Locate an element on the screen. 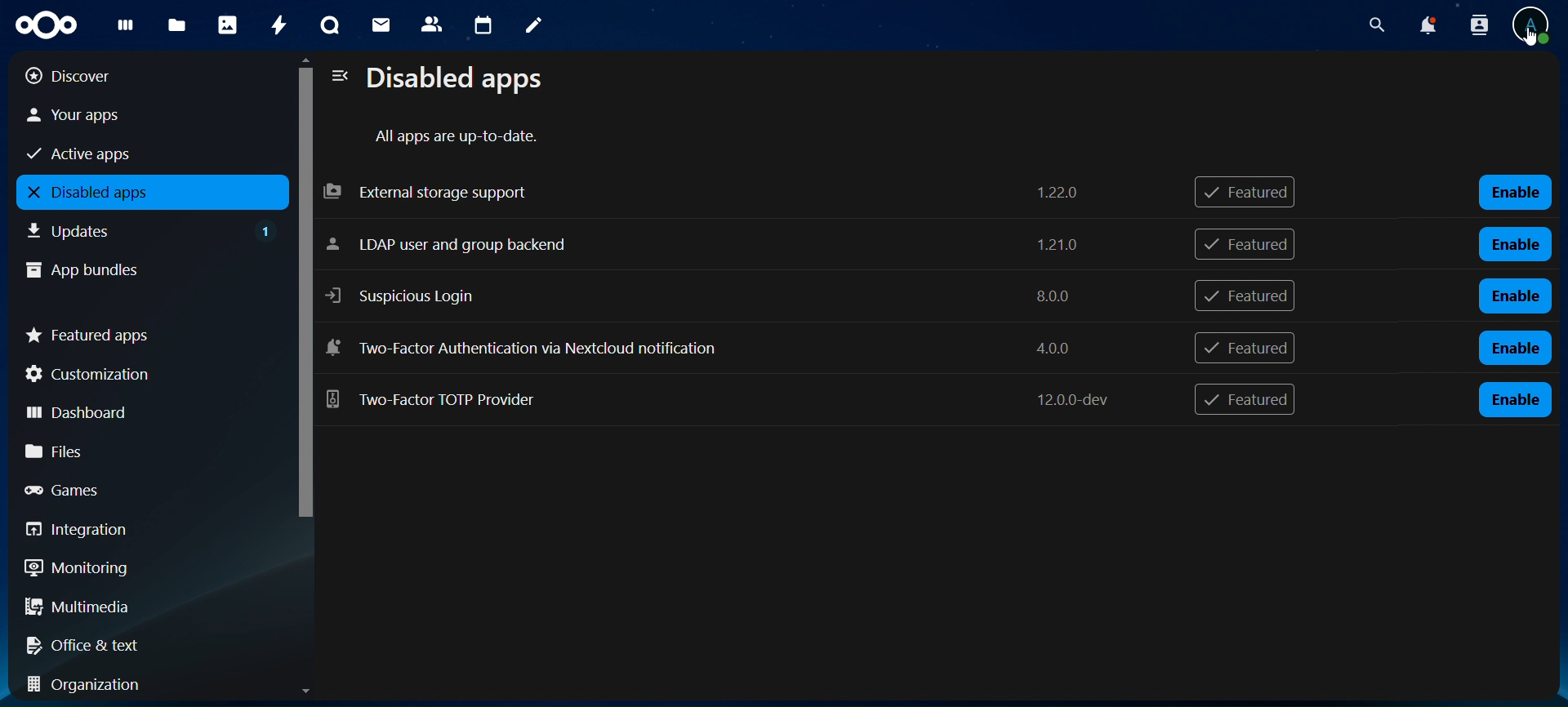  dashboard is located at coordinates (122, 29).